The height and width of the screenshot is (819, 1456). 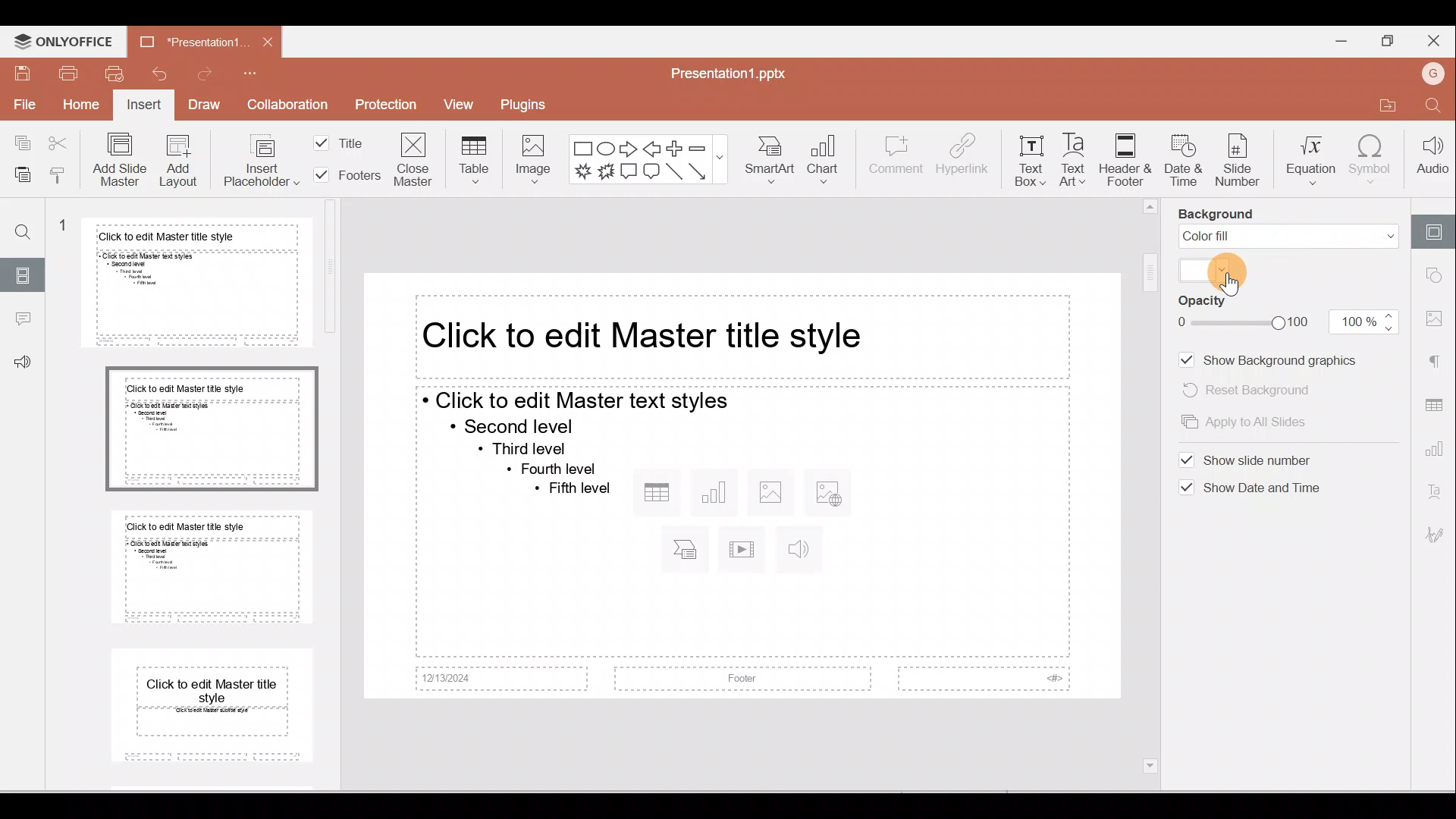 I want to click on Undo, so click(x=158, y=72).